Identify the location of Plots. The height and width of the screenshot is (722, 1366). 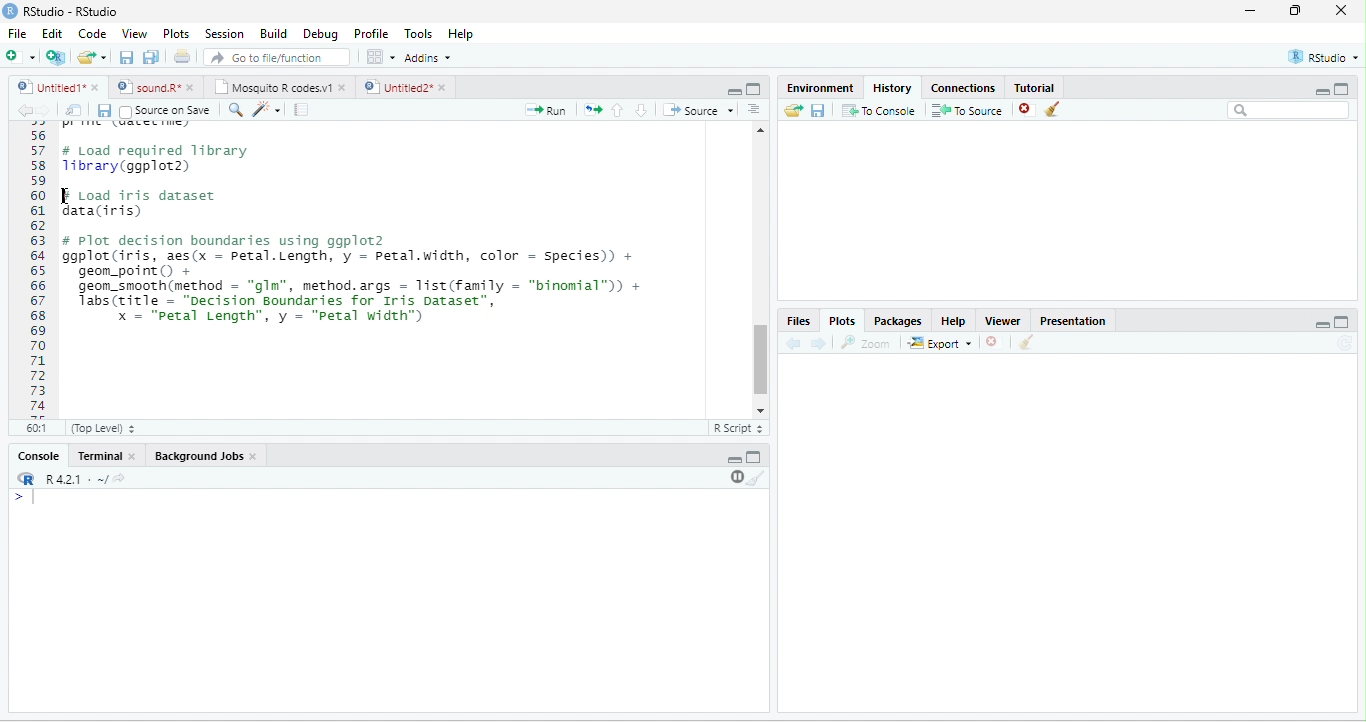
(176, 34).